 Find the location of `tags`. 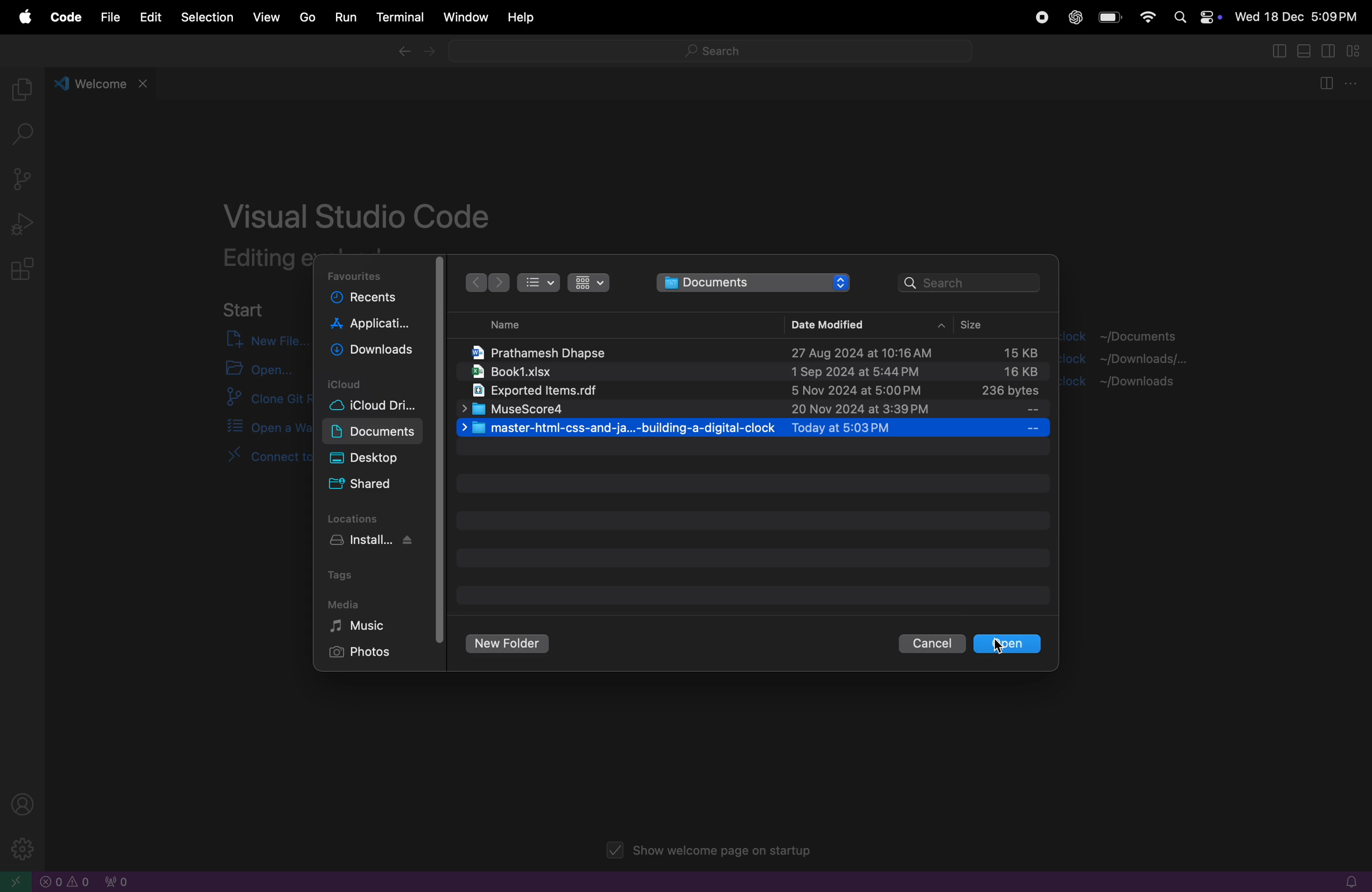

tags is located at coordinates (346, 574).